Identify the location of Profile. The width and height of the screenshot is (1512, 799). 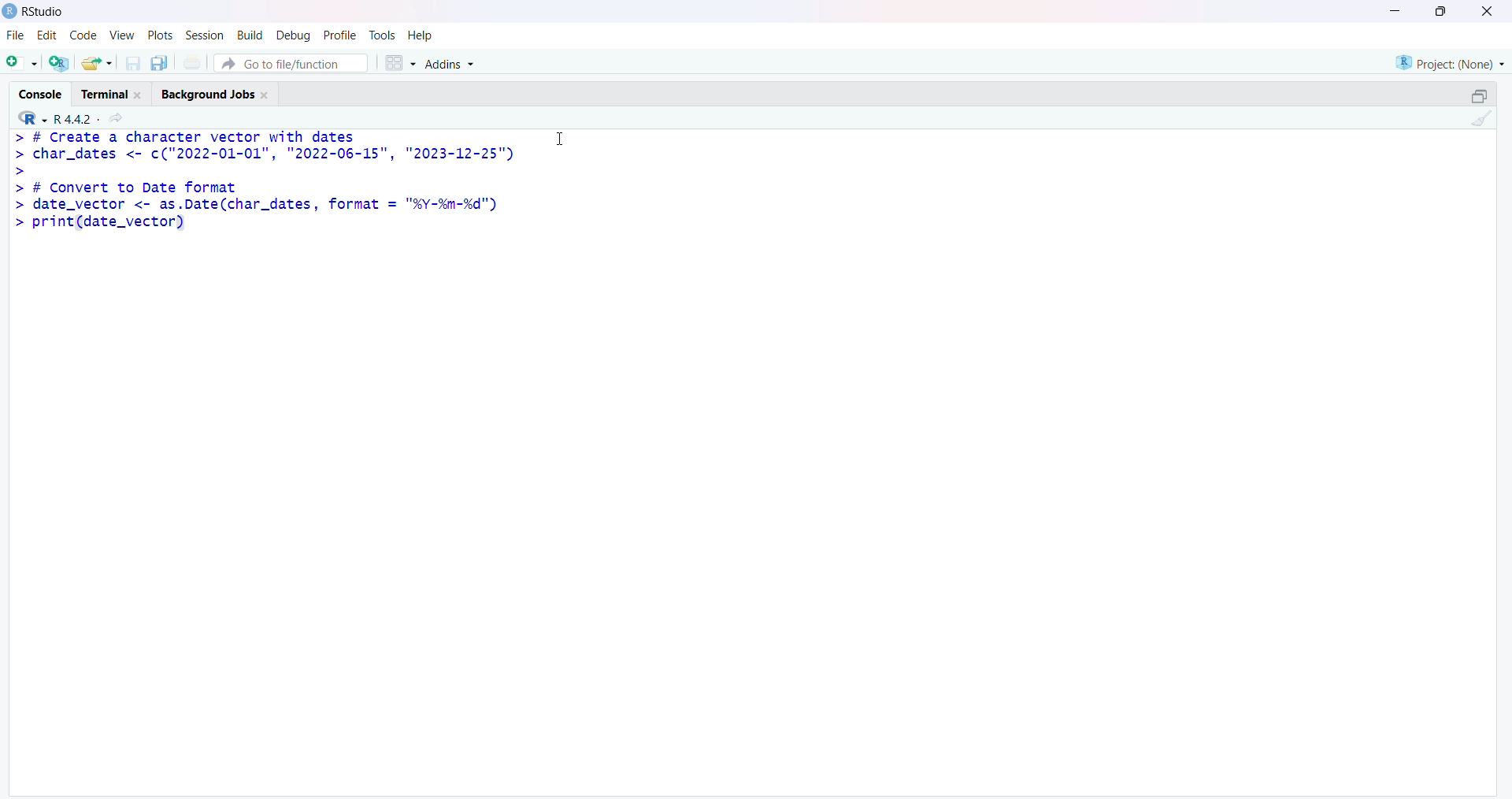
(339, 33).